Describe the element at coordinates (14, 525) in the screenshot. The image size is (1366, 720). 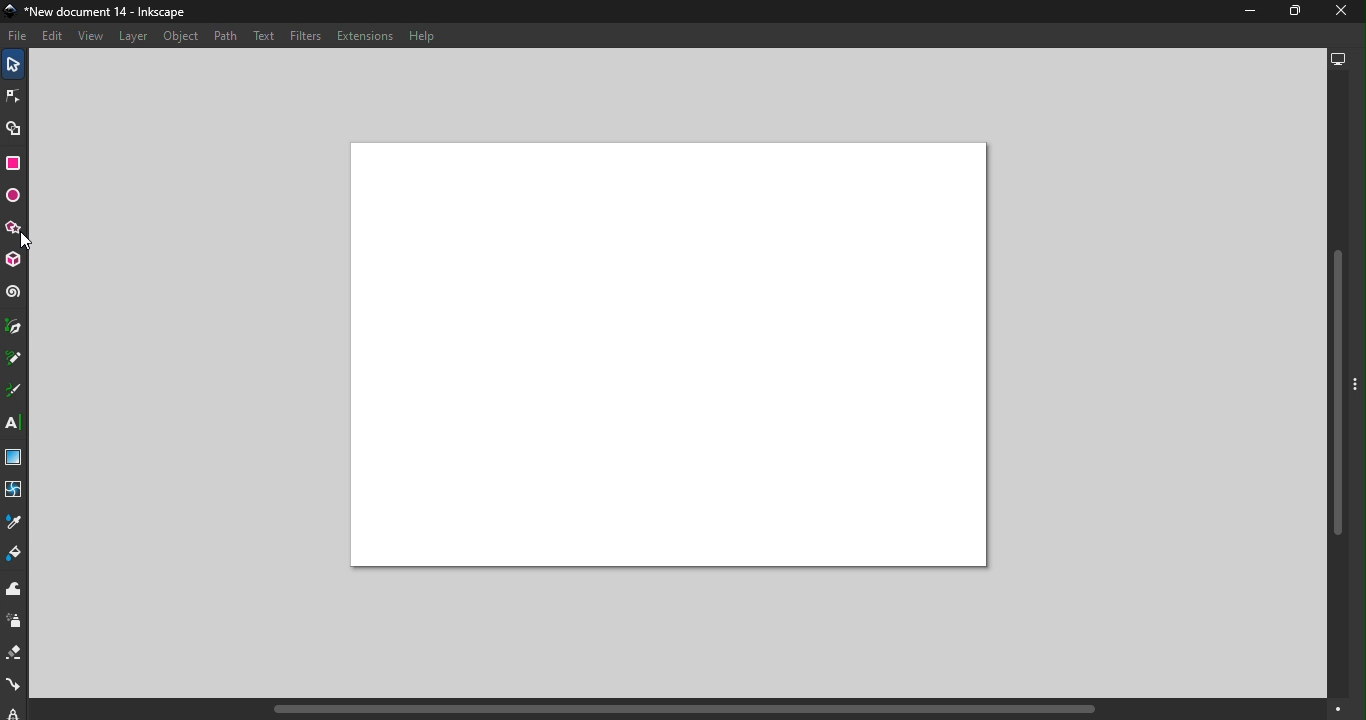
I see `Dropper tool` at that location.